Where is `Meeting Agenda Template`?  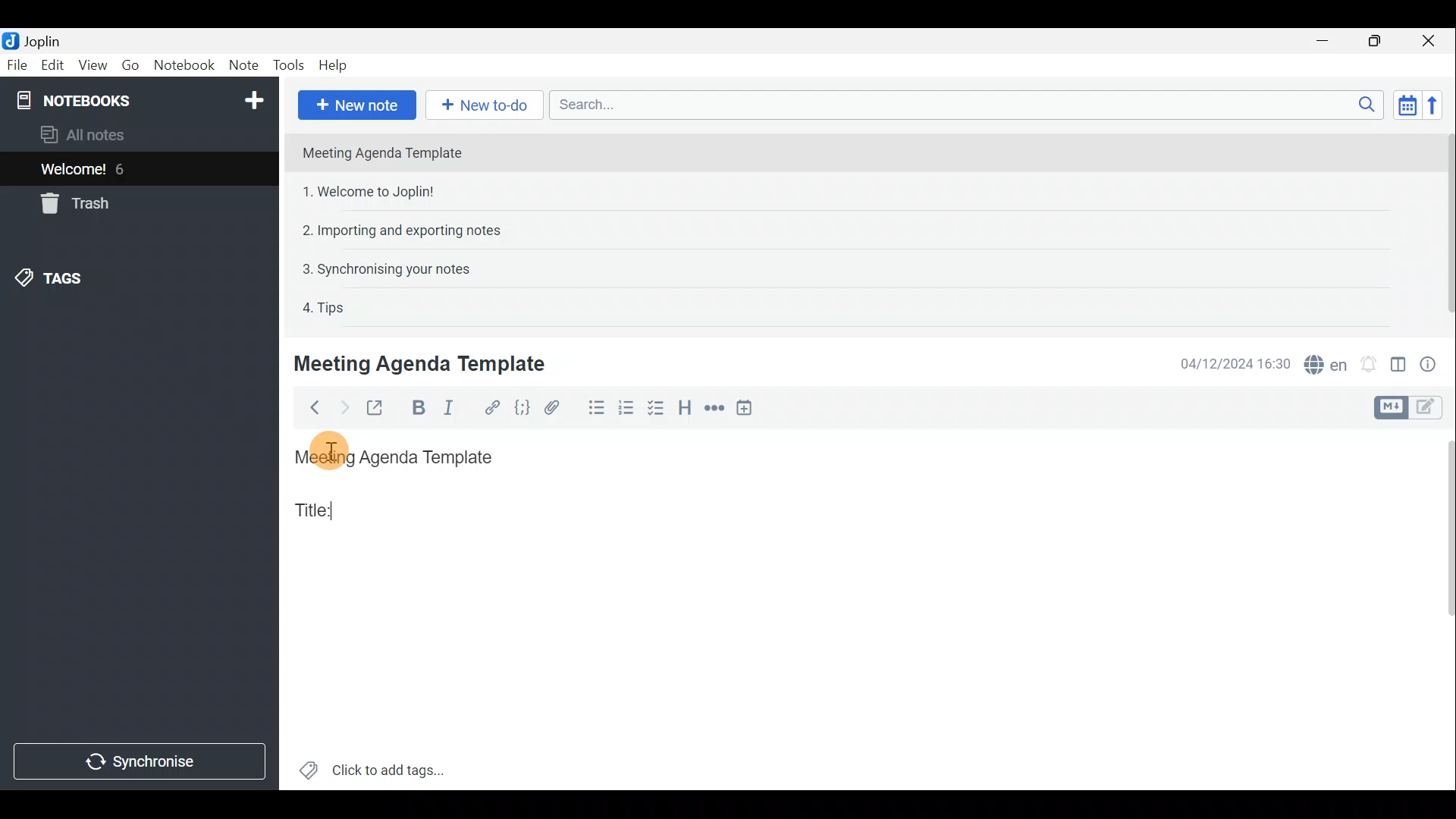 Meeting Agenda Template is located at coordinates (398, 458).